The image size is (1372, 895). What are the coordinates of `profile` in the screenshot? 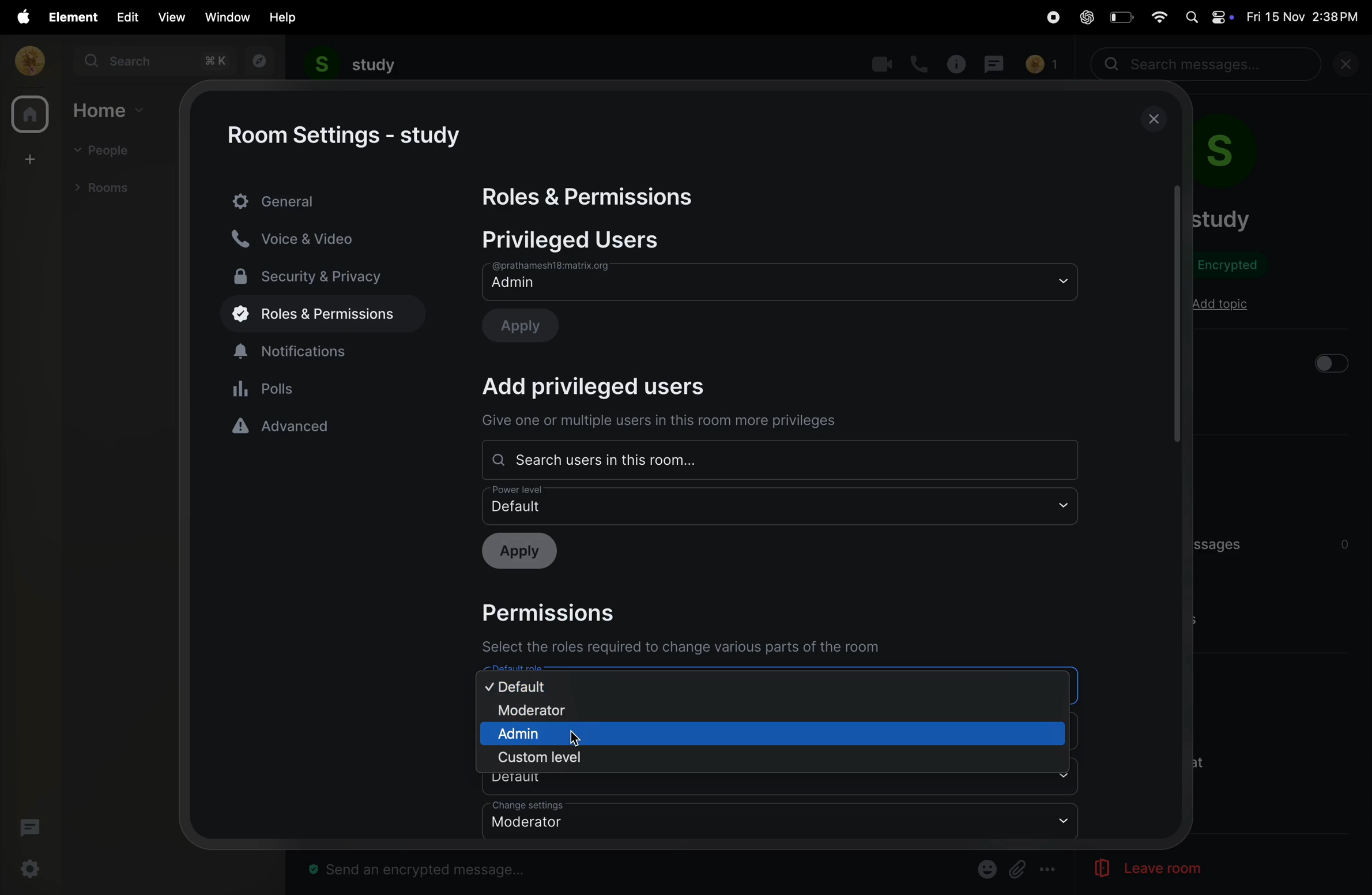 It's located at (26, 60).